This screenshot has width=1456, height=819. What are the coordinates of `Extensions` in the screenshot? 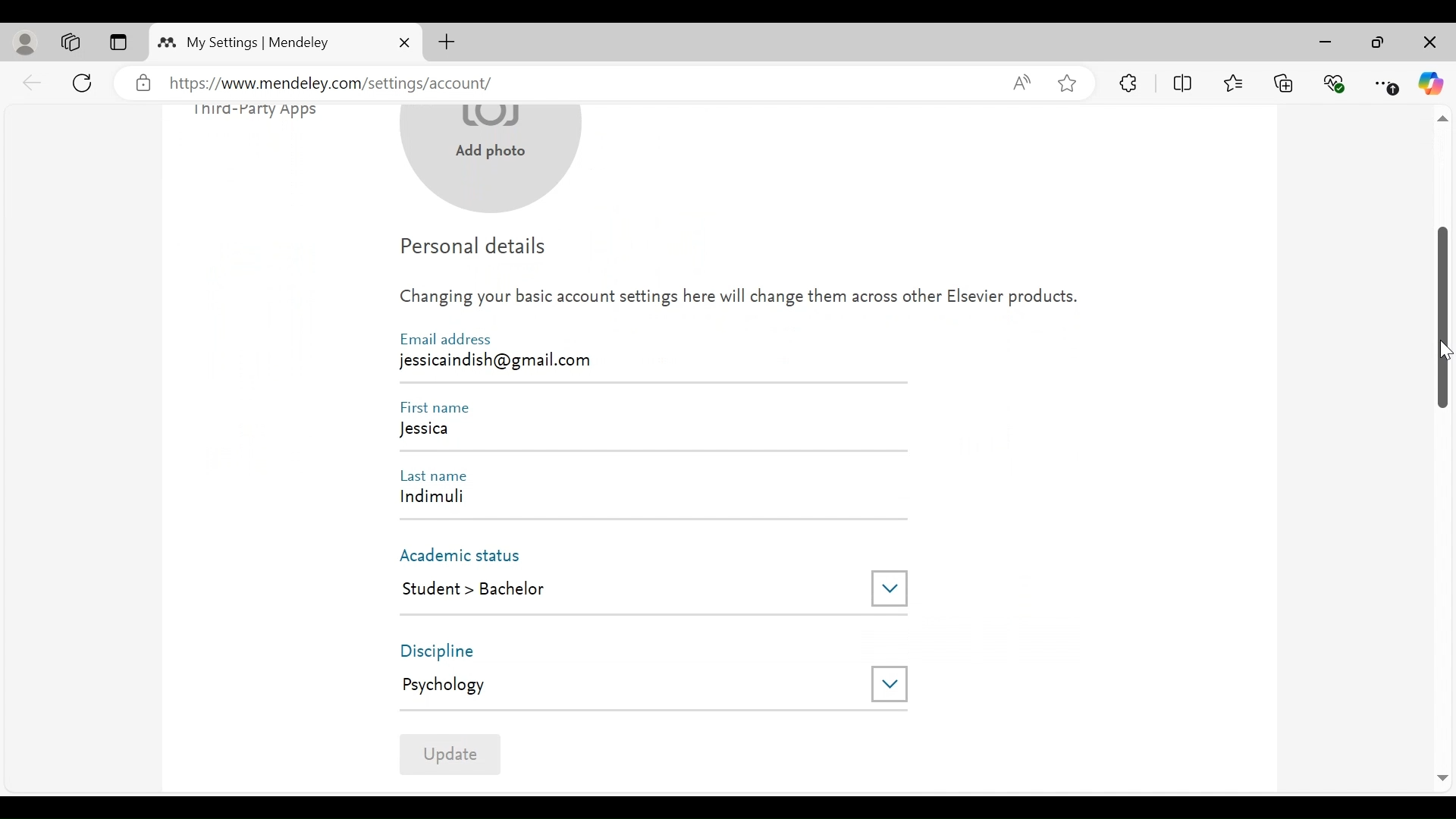 It's located at (1129, 83).